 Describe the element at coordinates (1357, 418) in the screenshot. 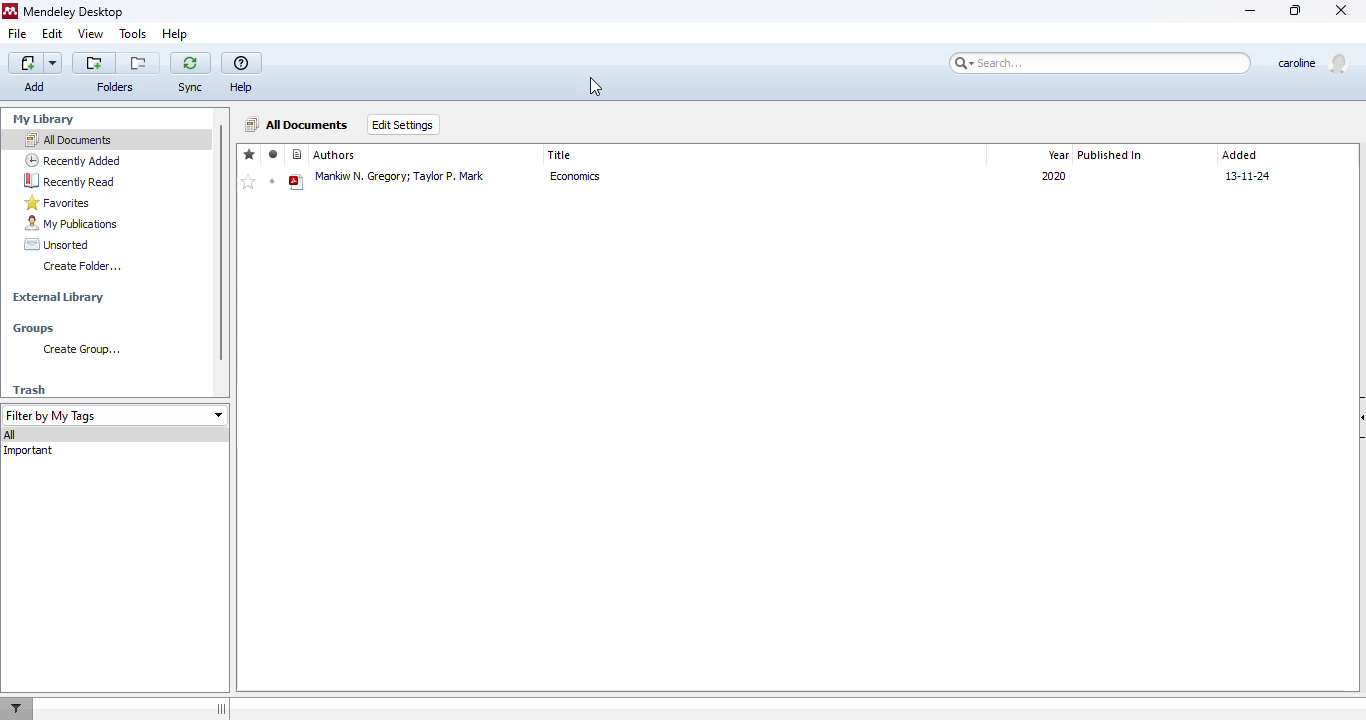

I see `hide` at that location.